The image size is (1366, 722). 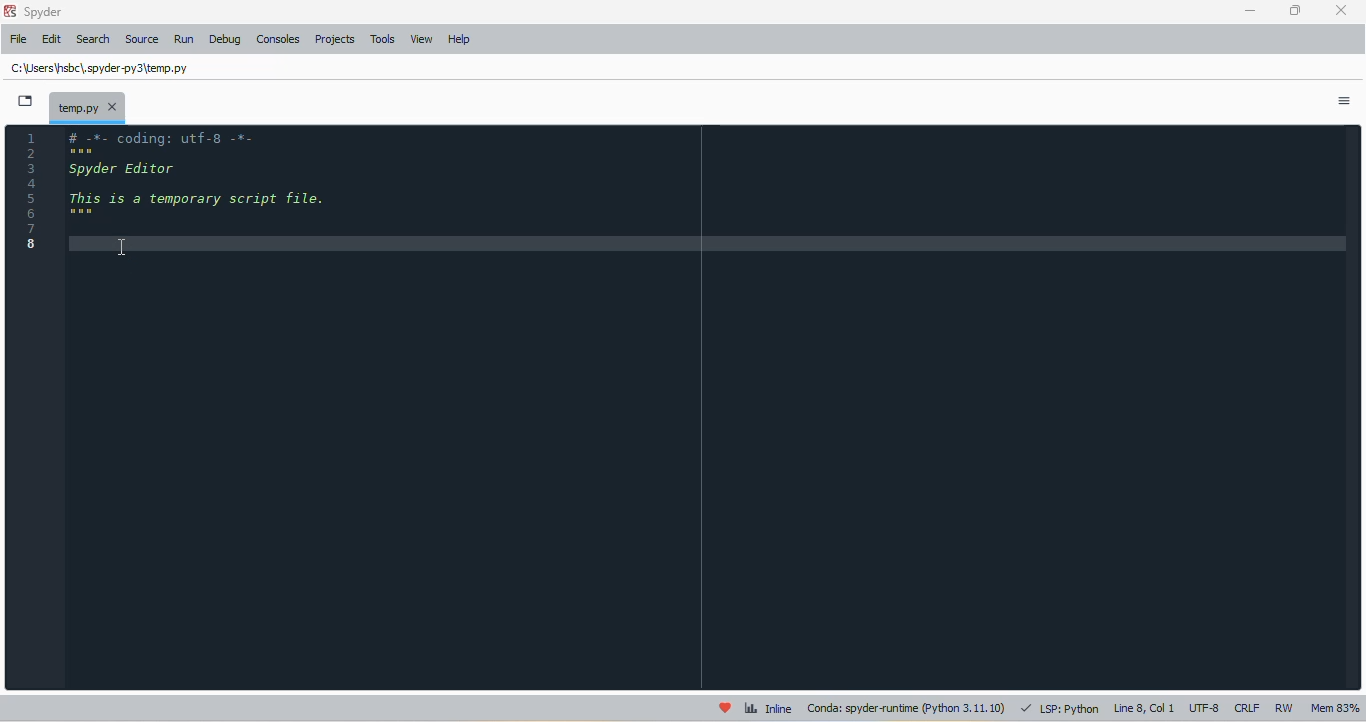 I want to click on search, so click(x=94, y=40).